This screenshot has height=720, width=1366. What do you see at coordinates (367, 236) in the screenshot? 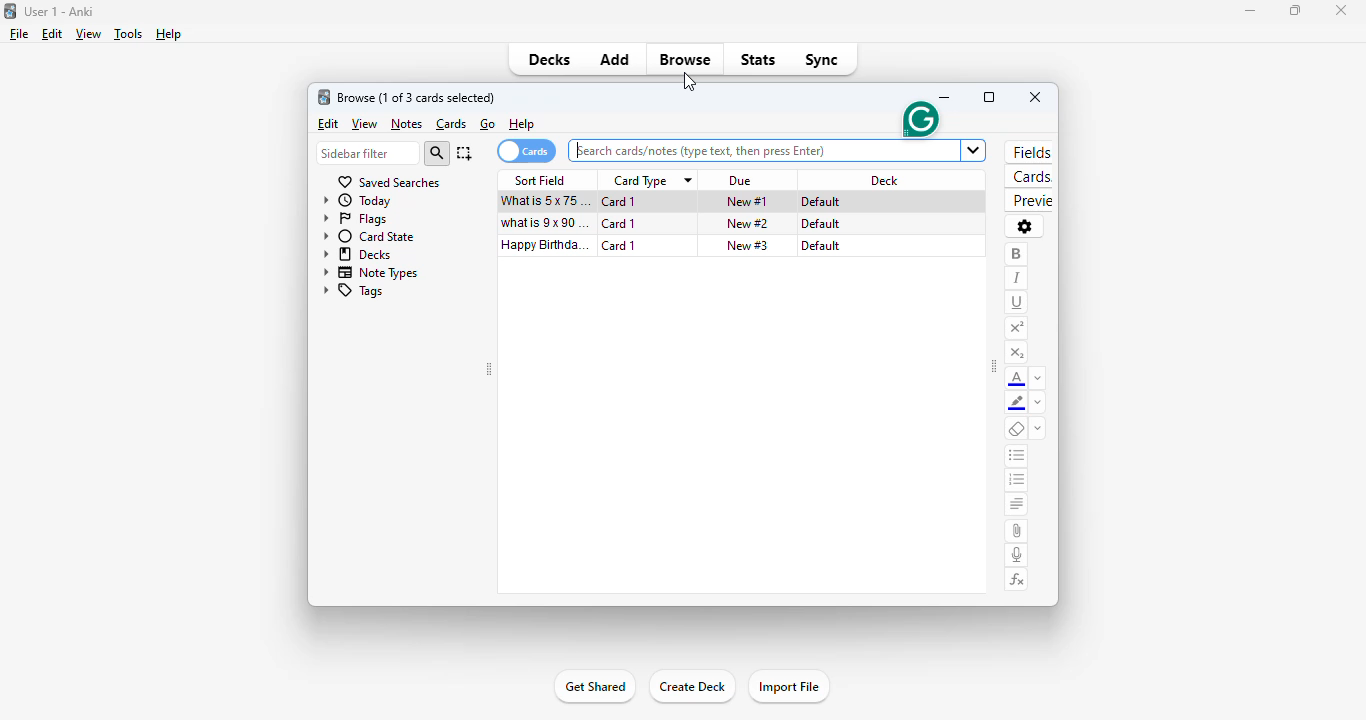
I see `card state` at bounding box center [367, 236].